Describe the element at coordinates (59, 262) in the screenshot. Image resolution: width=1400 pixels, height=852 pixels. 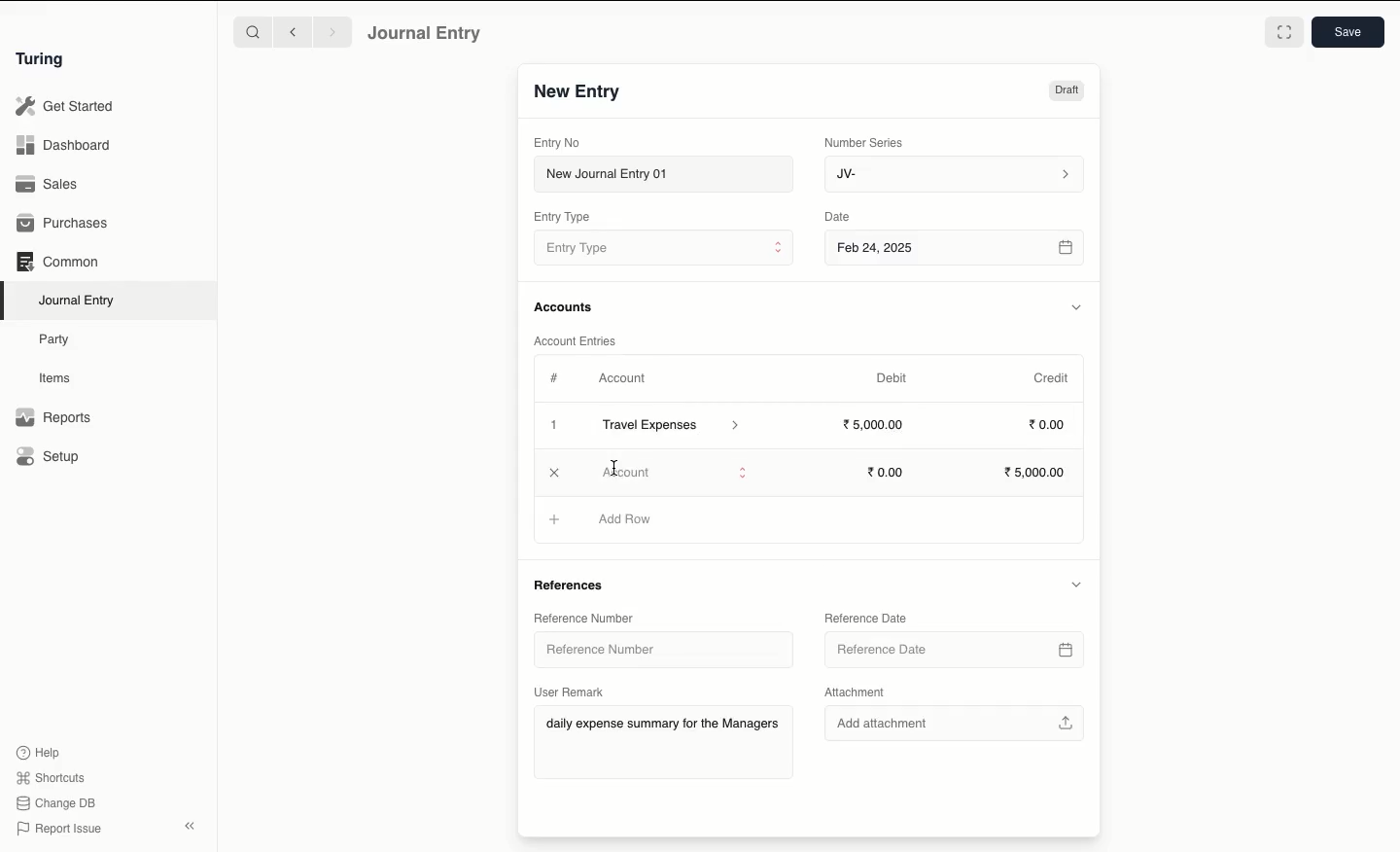
I see `Common` at that location.